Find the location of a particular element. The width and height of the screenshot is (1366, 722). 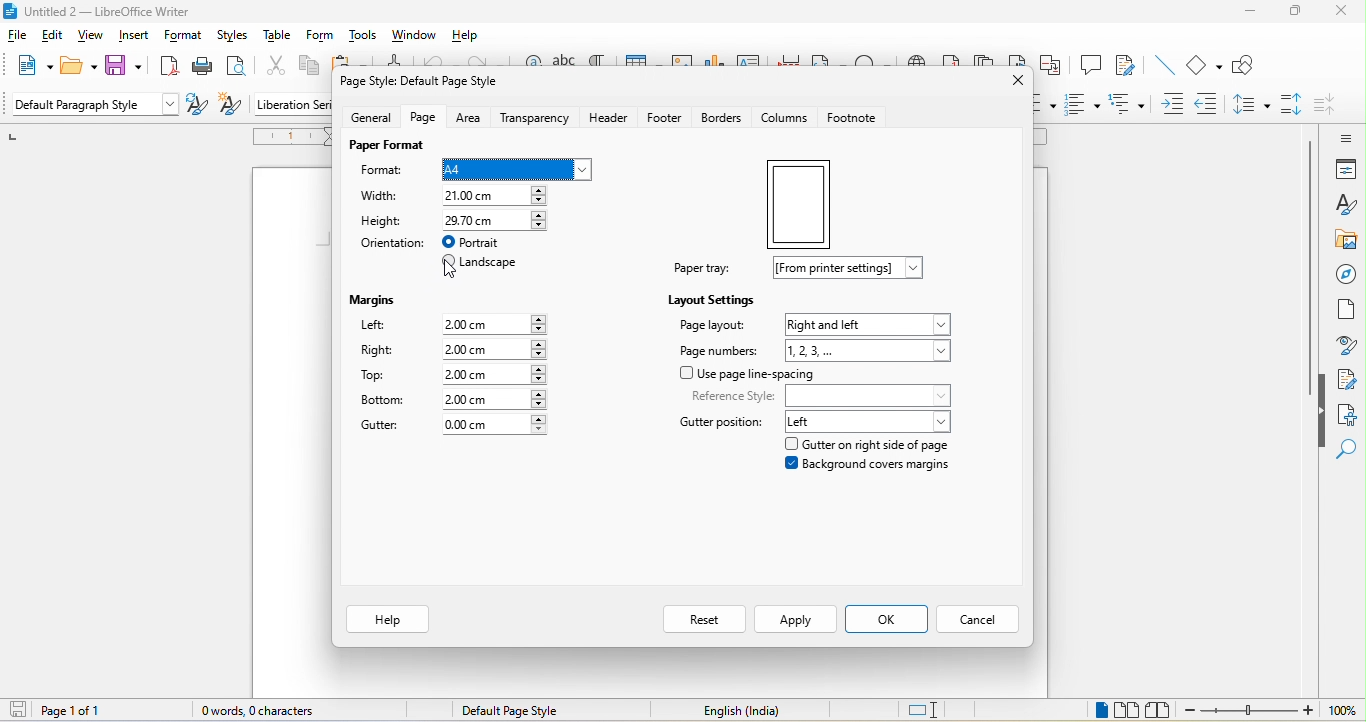

2.00 cm is located at coordinates (498, 399).